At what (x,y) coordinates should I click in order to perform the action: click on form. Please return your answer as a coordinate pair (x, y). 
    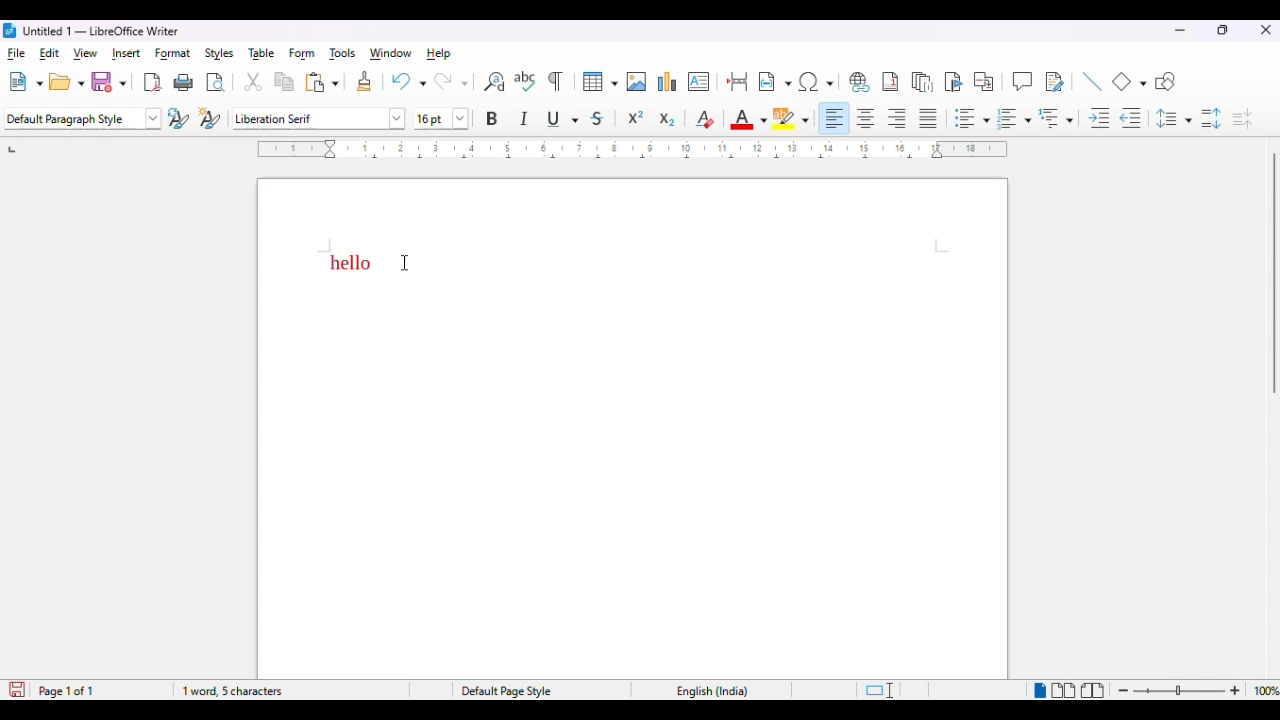
    Looking at the image, I should click on (302, 54).